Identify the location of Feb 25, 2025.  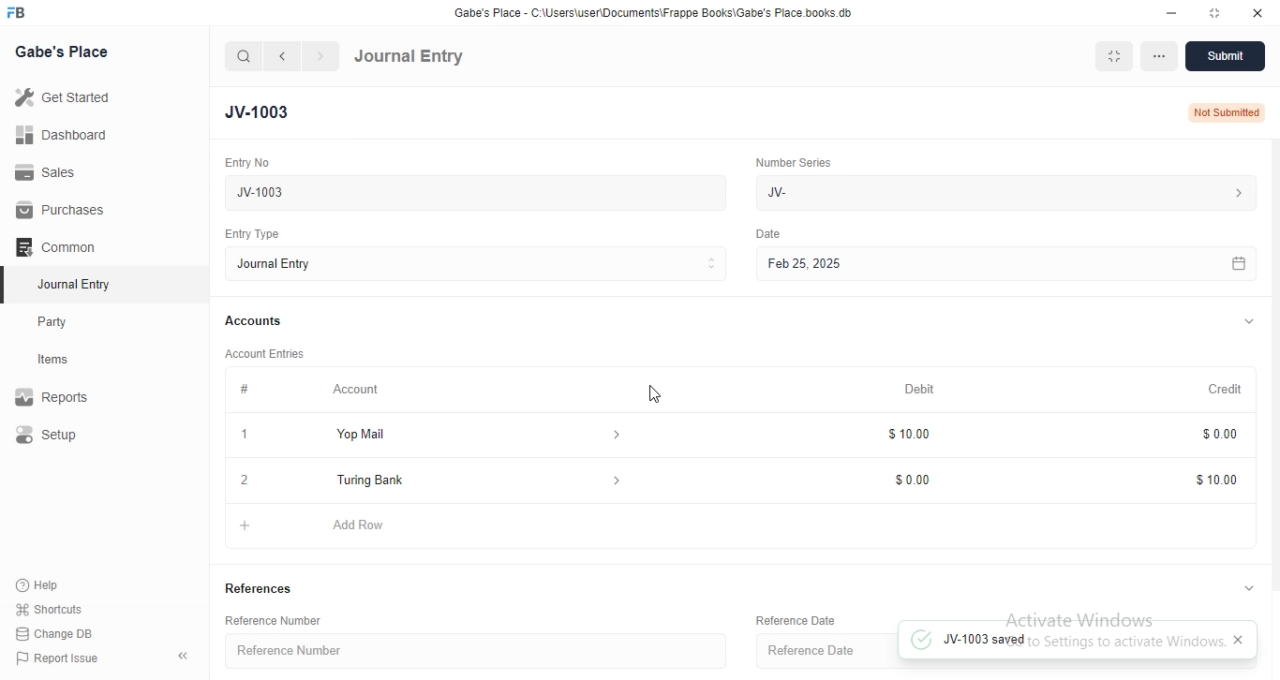
(1003, 263).